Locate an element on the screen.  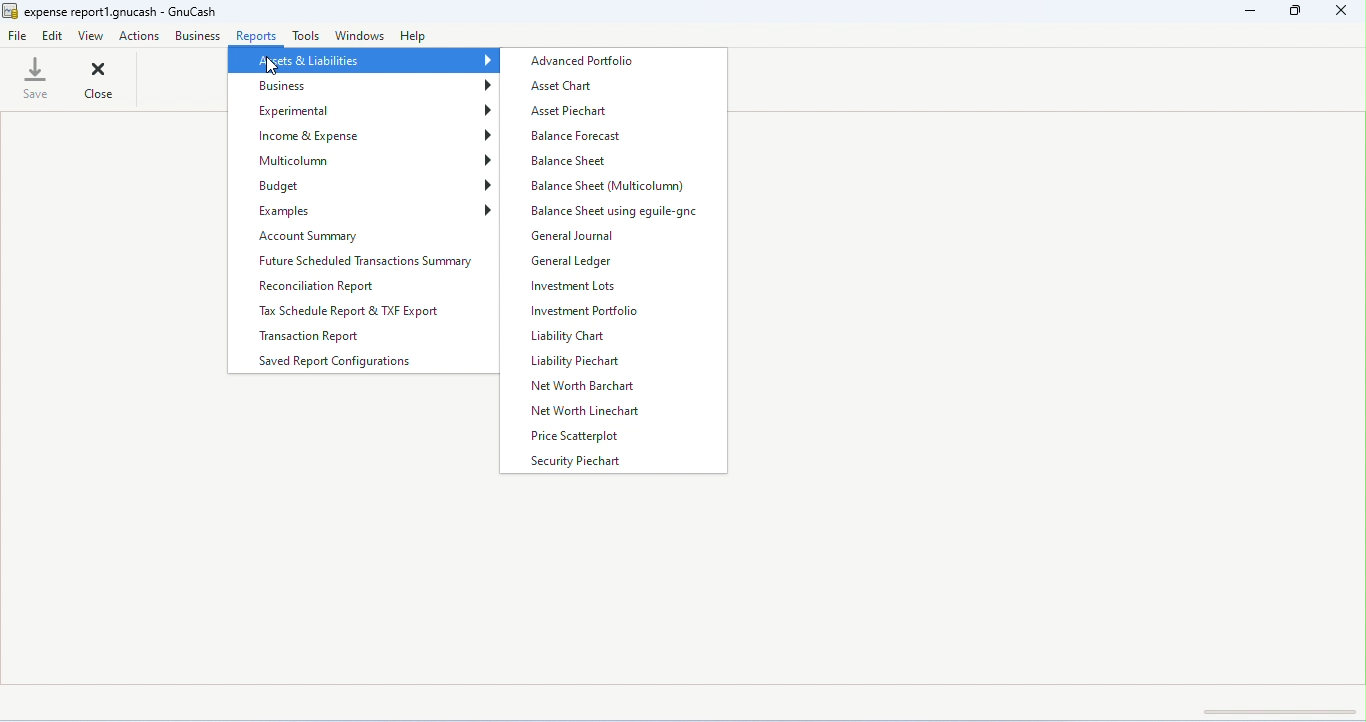
assets and liabilities is located at coordinates (362, 62).